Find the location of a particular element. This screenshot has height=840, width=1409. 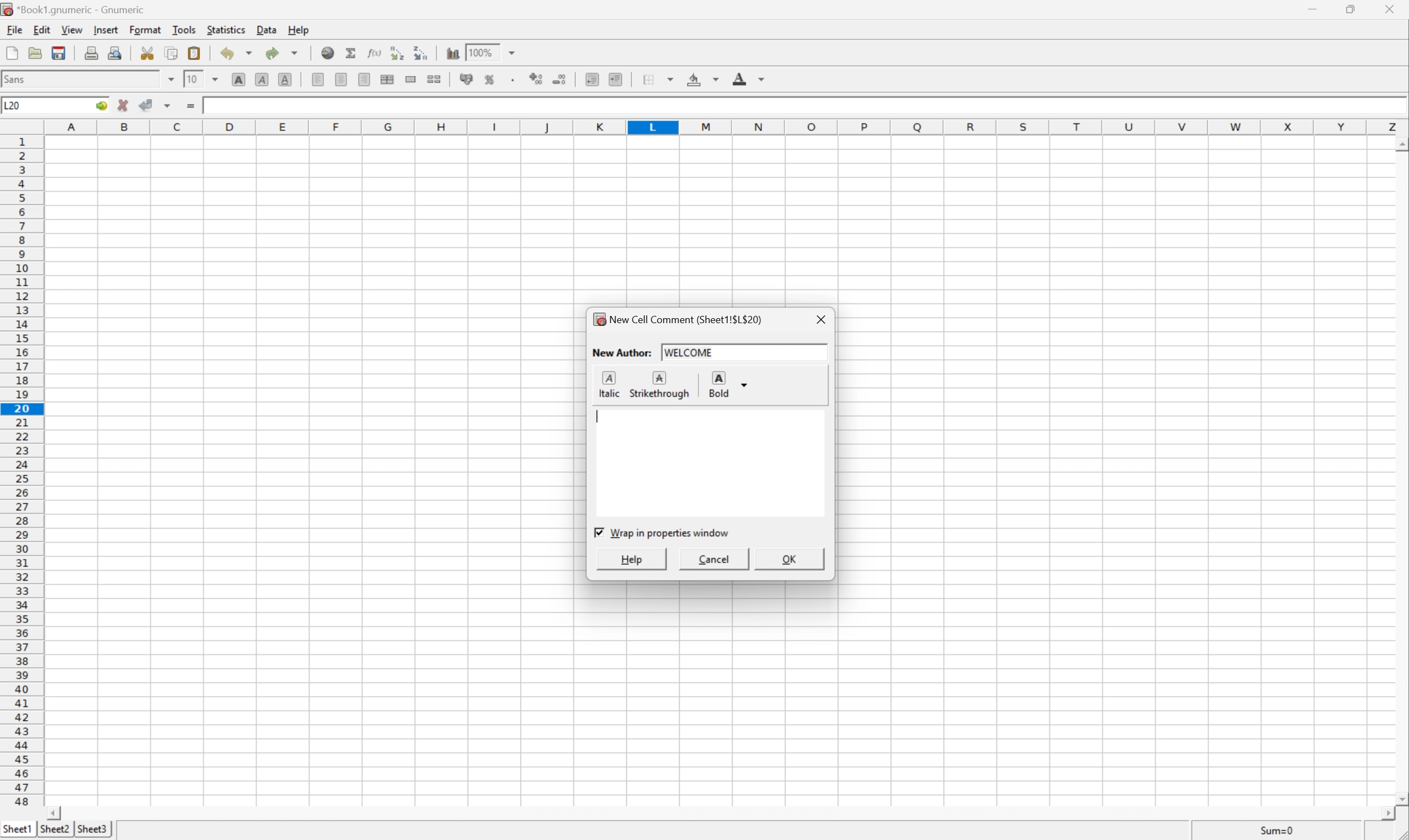

Checkbox is located at coordinates (597, 531).